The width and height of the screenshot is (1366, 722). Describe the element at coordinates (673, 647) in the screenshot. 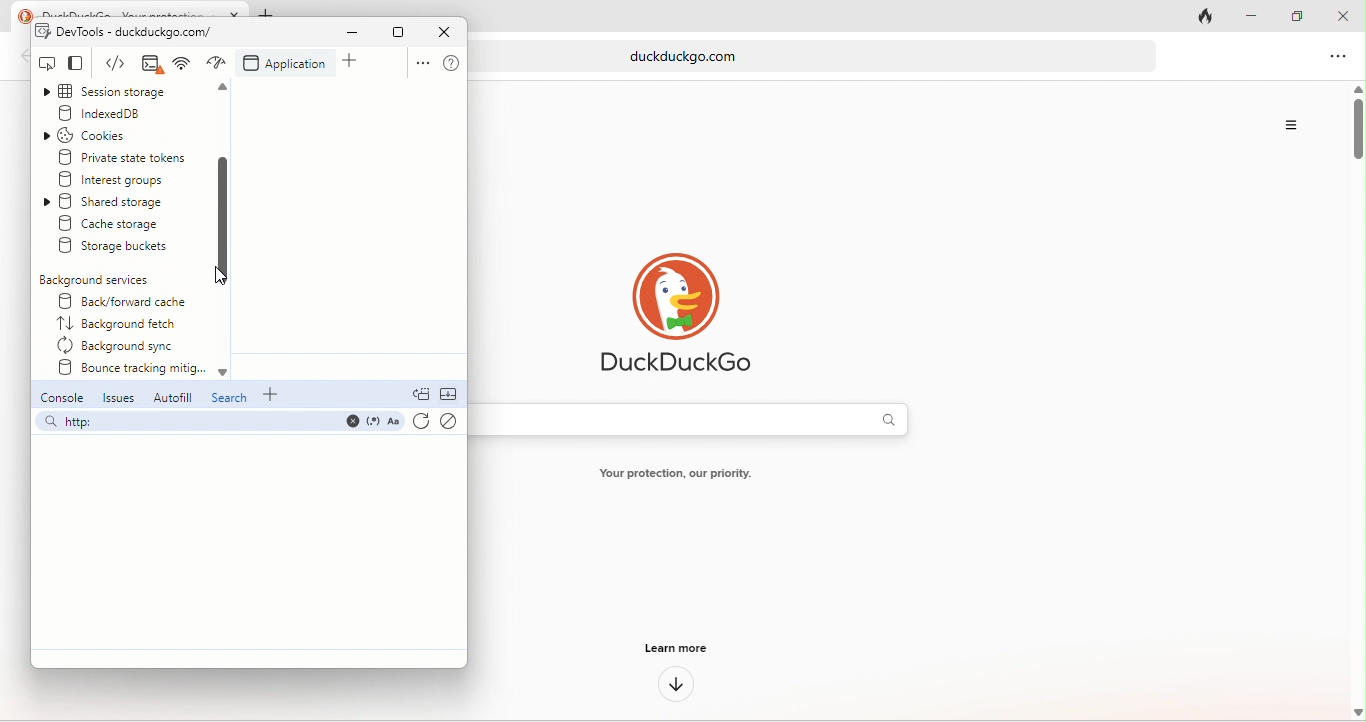

I see `learn more` at that location.